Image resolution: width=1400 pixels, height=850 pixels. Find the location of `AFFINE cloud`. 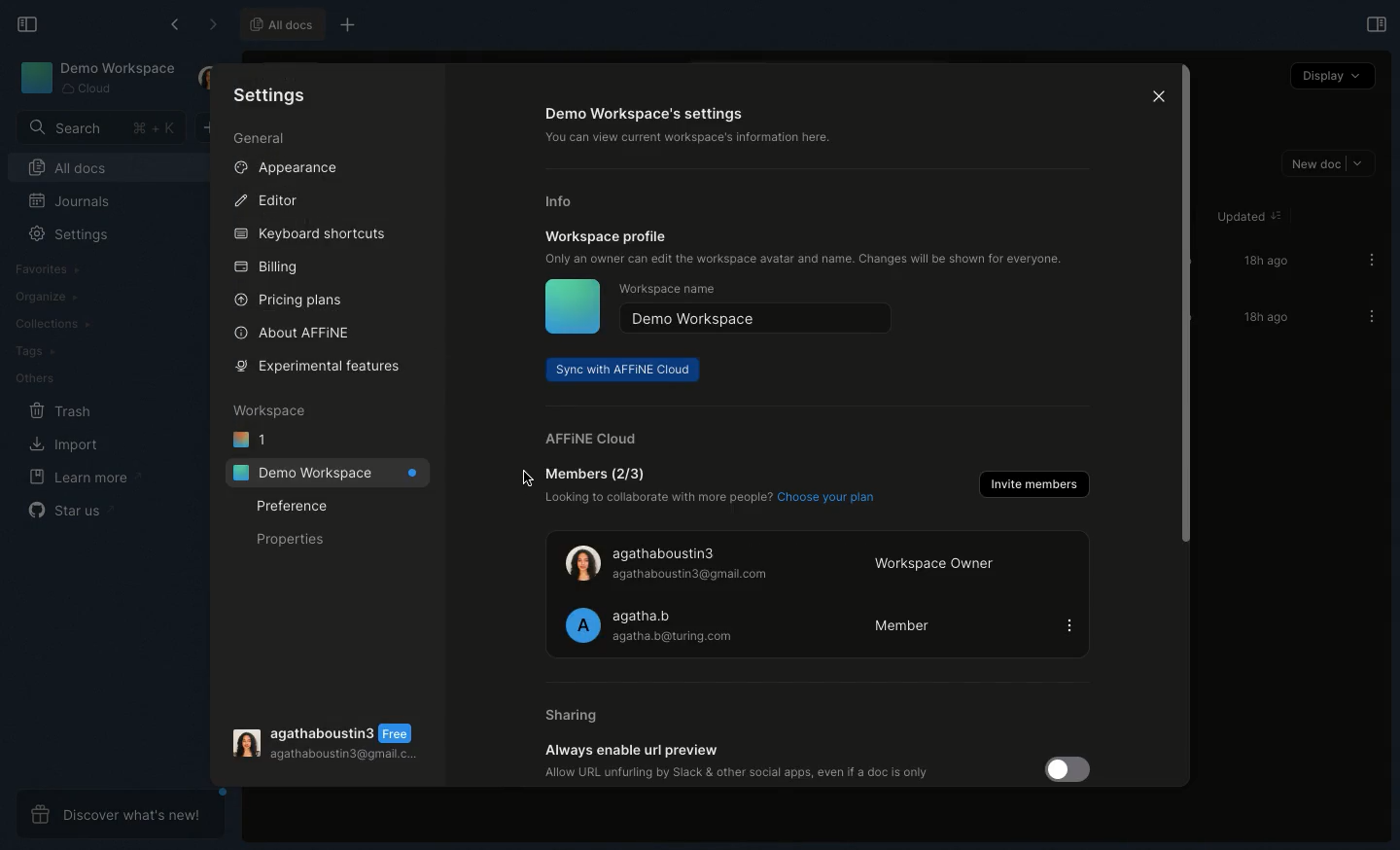

AFFINE cloud is located at coordinates (592, 439).